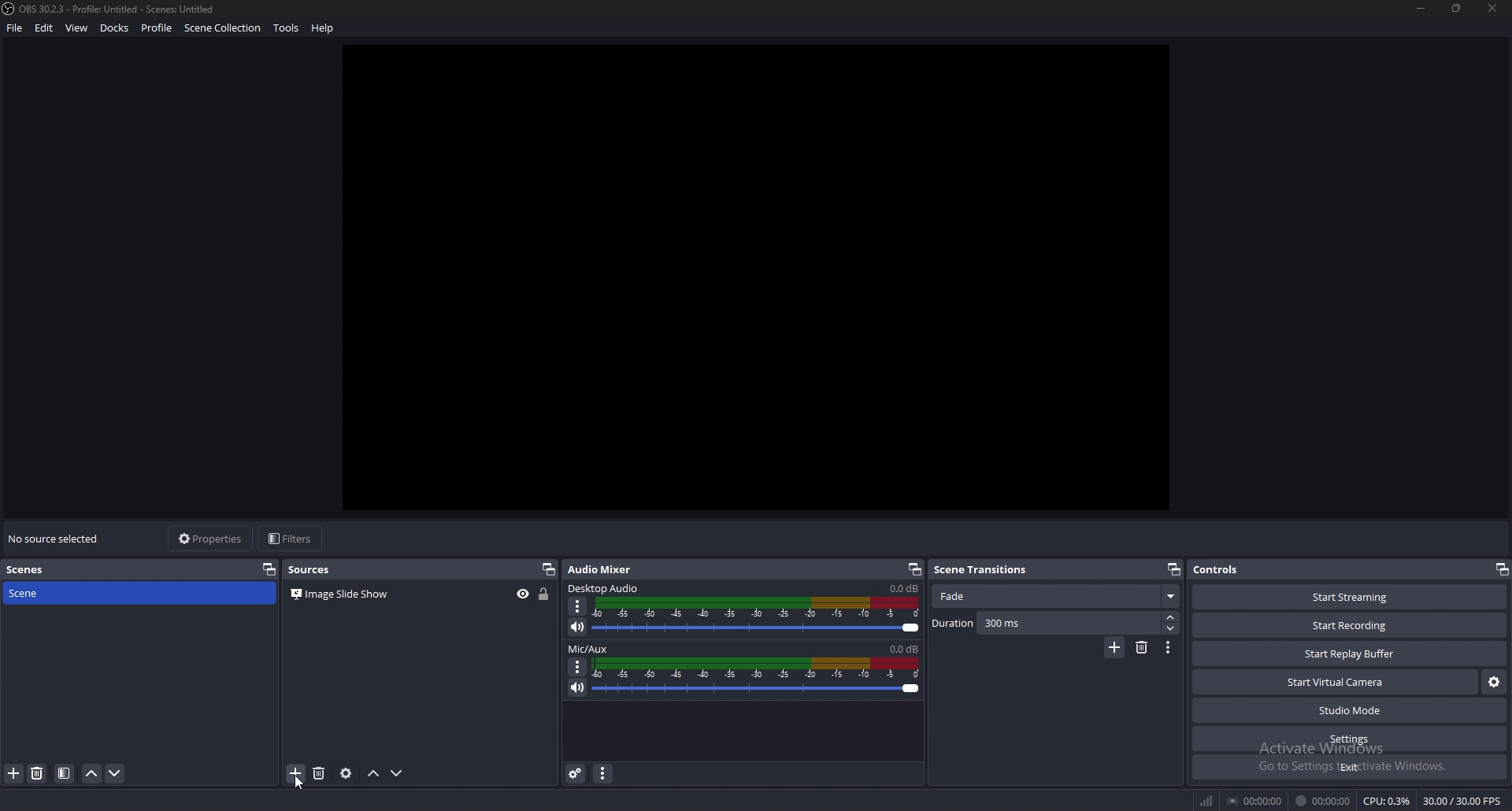 The width and height of the screenshot is (1512, 811). Describe the element at coordinates (523, 594) in the screenshot. I see `hide` at that location.